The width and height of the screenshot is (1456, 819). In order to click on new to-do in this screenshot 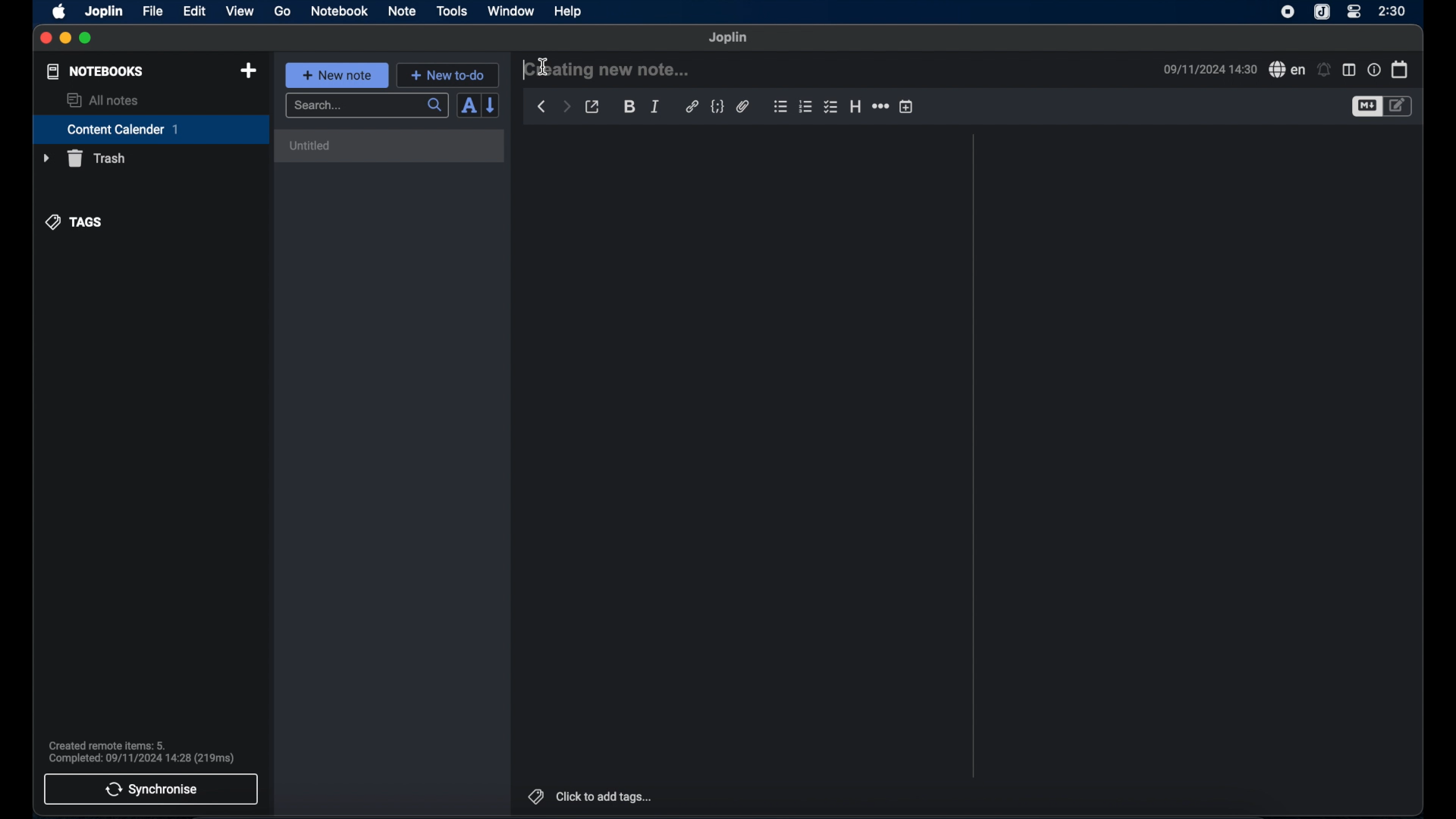, I will do `click(447, 75)`.